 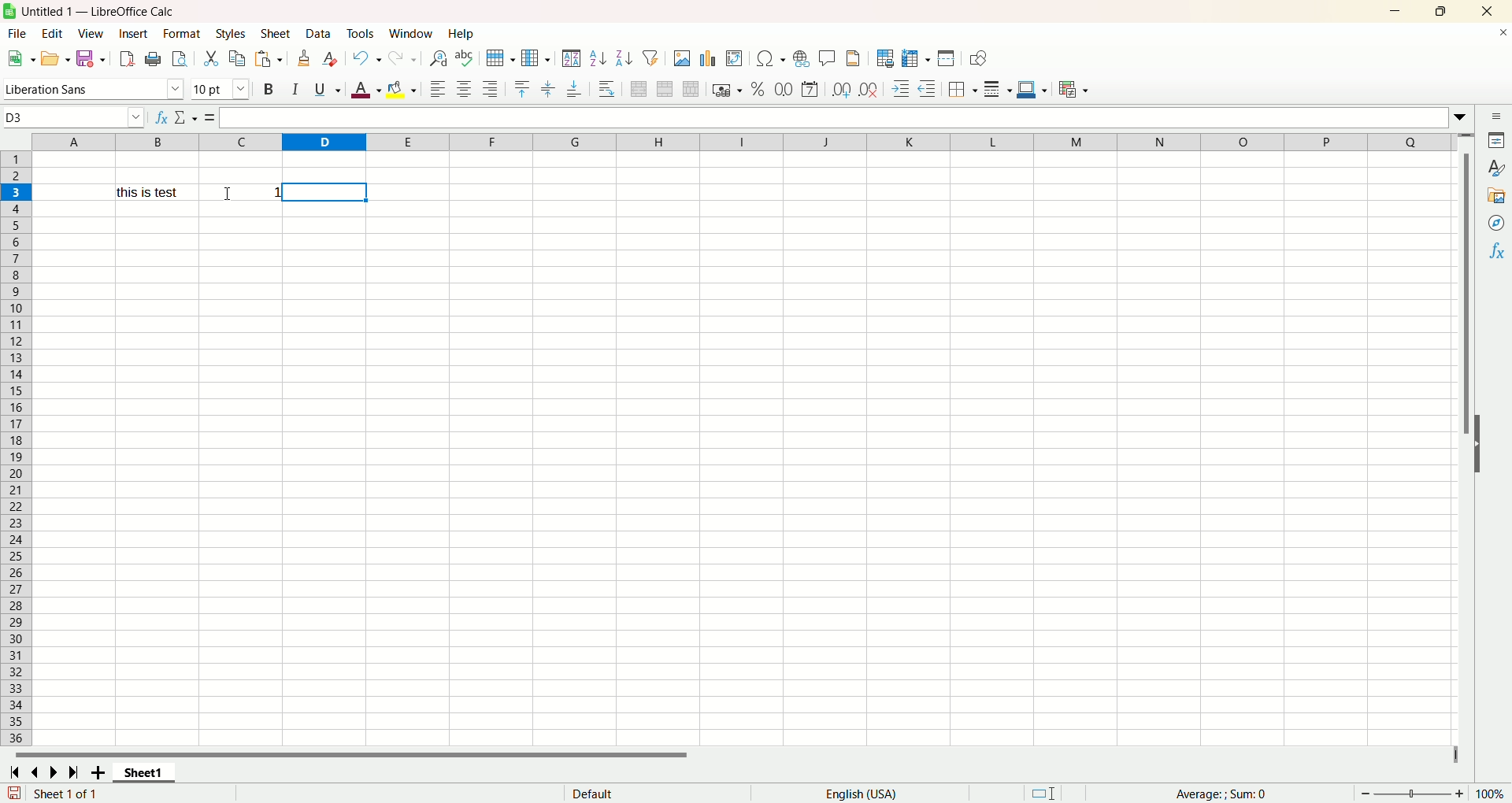 I want to click on borders, so click(x=964, y=87).